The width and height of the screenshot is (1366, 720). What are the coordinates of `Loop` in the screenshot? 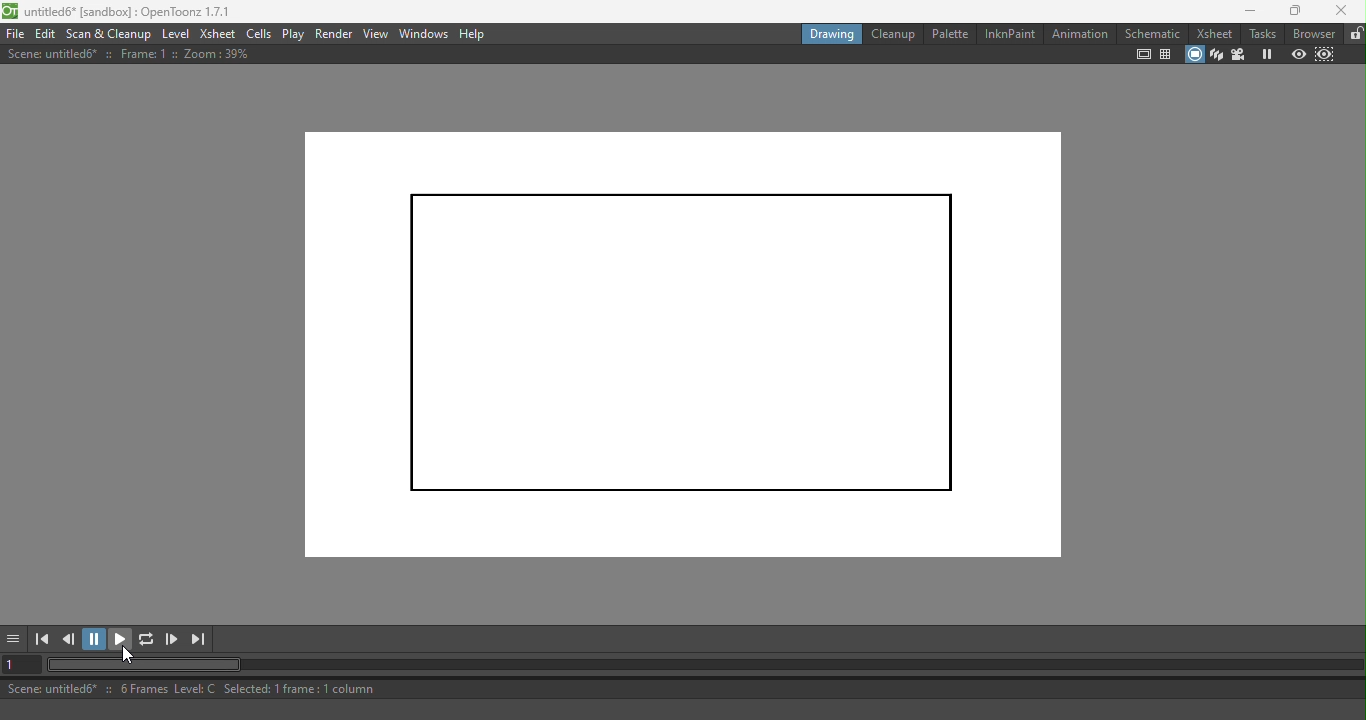 It's located at (147, 641).